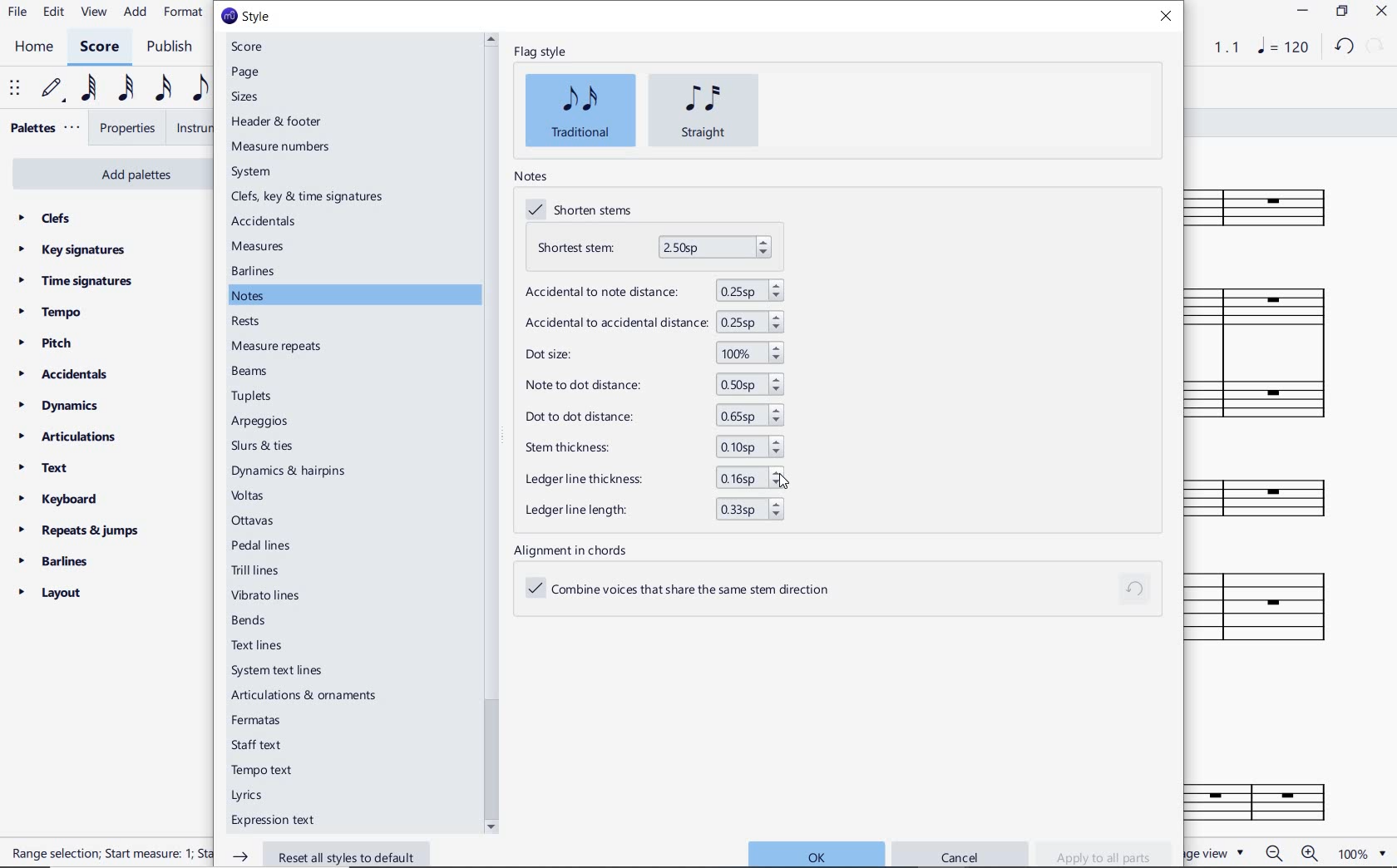 The height and width of the screenshot is (868, 1397). Describe the element at coordinates (269, 570) in the screenshot. I see `trill lines` at that location.